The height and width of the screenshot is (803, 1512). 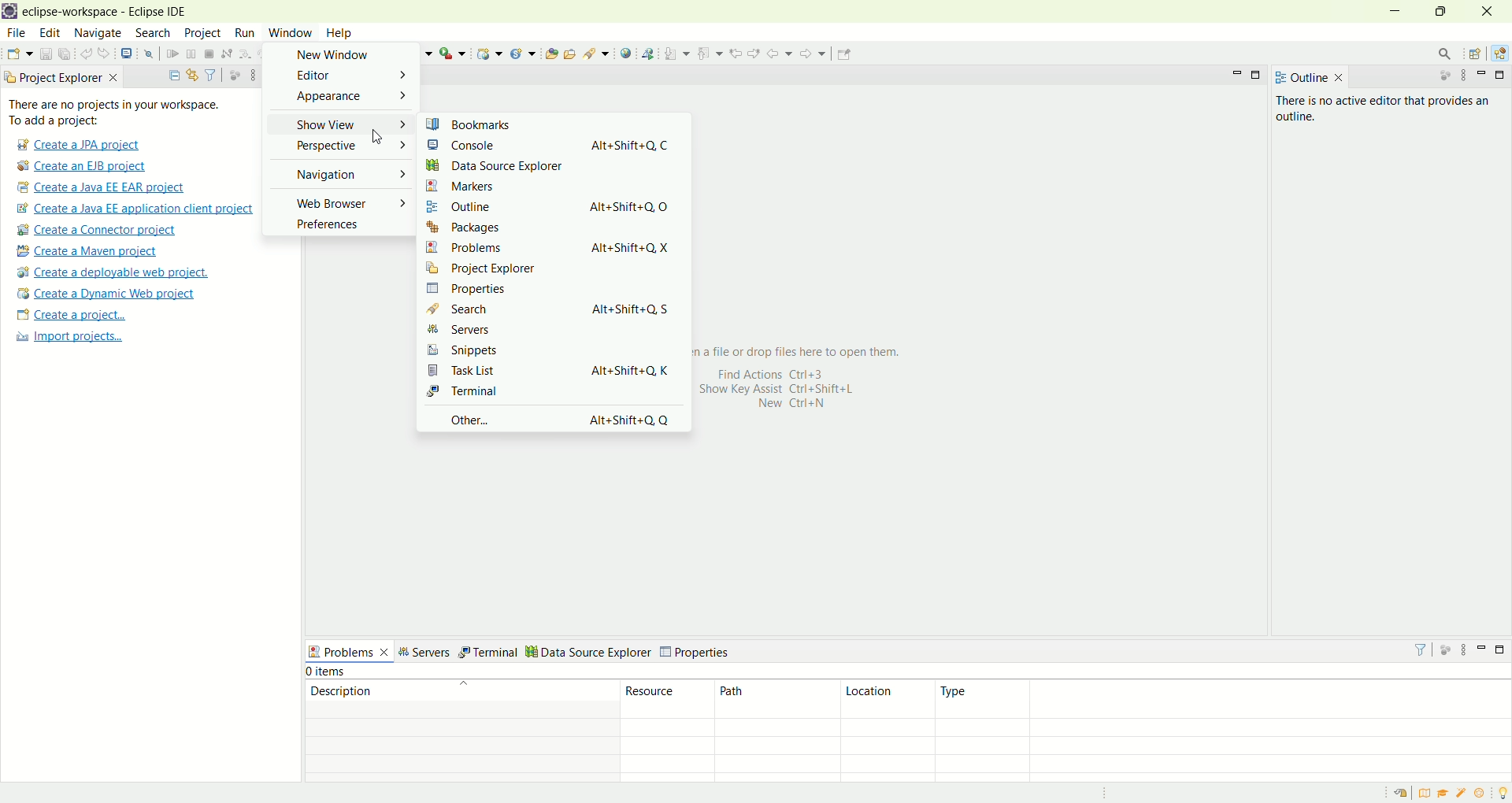 I want to click on resource, so click(x=664, y=698).